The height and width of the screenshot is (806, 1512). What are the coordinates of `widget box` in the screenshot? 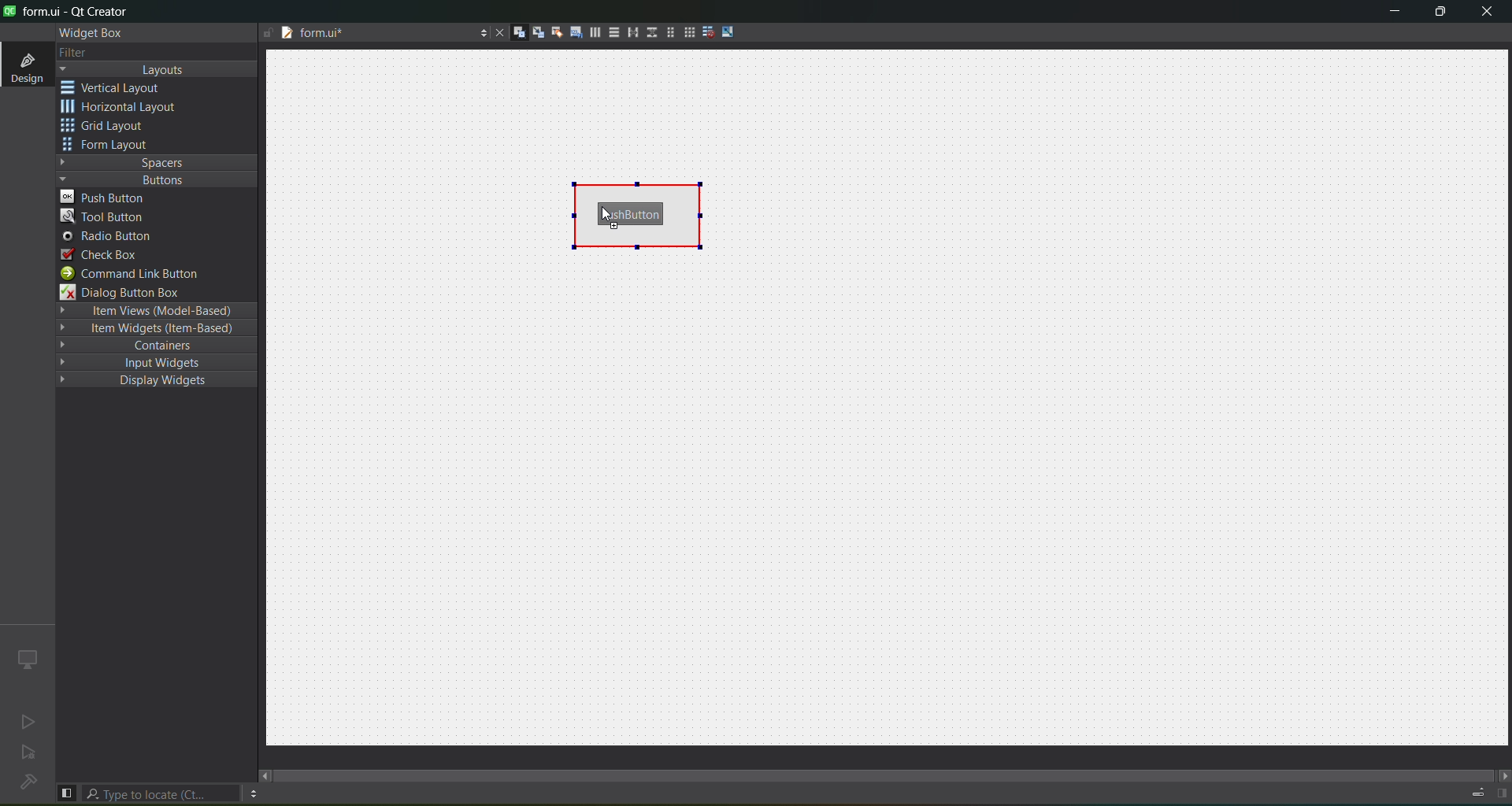 It's located at (88, 32).